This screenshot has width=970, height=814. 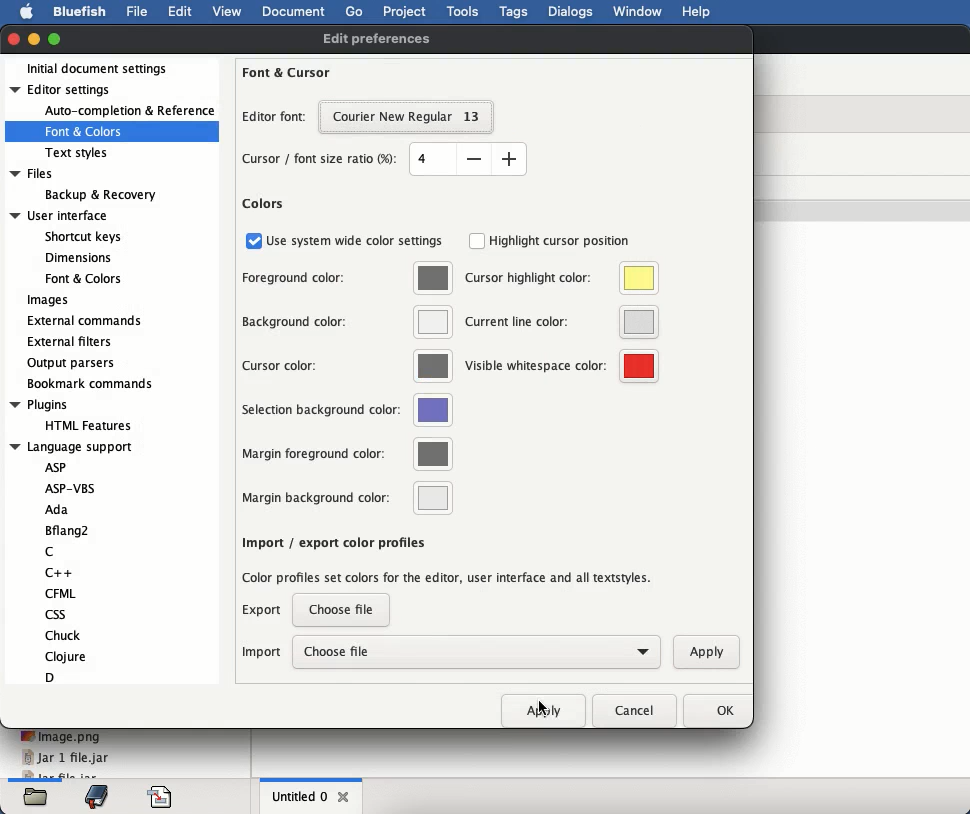 What do you see at coordinates (701, 650) in the screenshot?
I see `apply` at bounding box center [701, 650].